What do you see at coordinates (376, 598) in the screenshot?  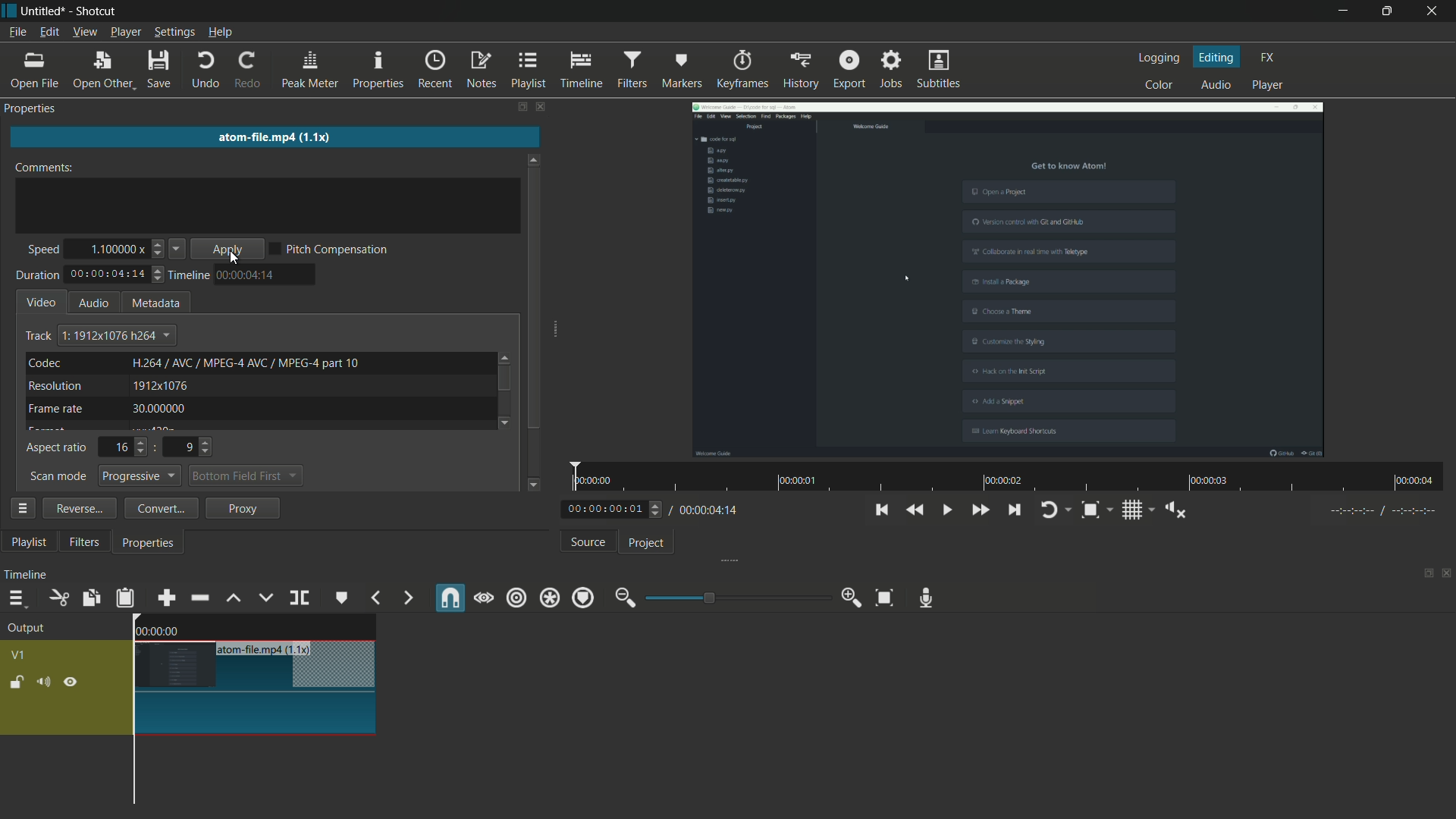 I see `previous marker` at bounding box center [376, 598].